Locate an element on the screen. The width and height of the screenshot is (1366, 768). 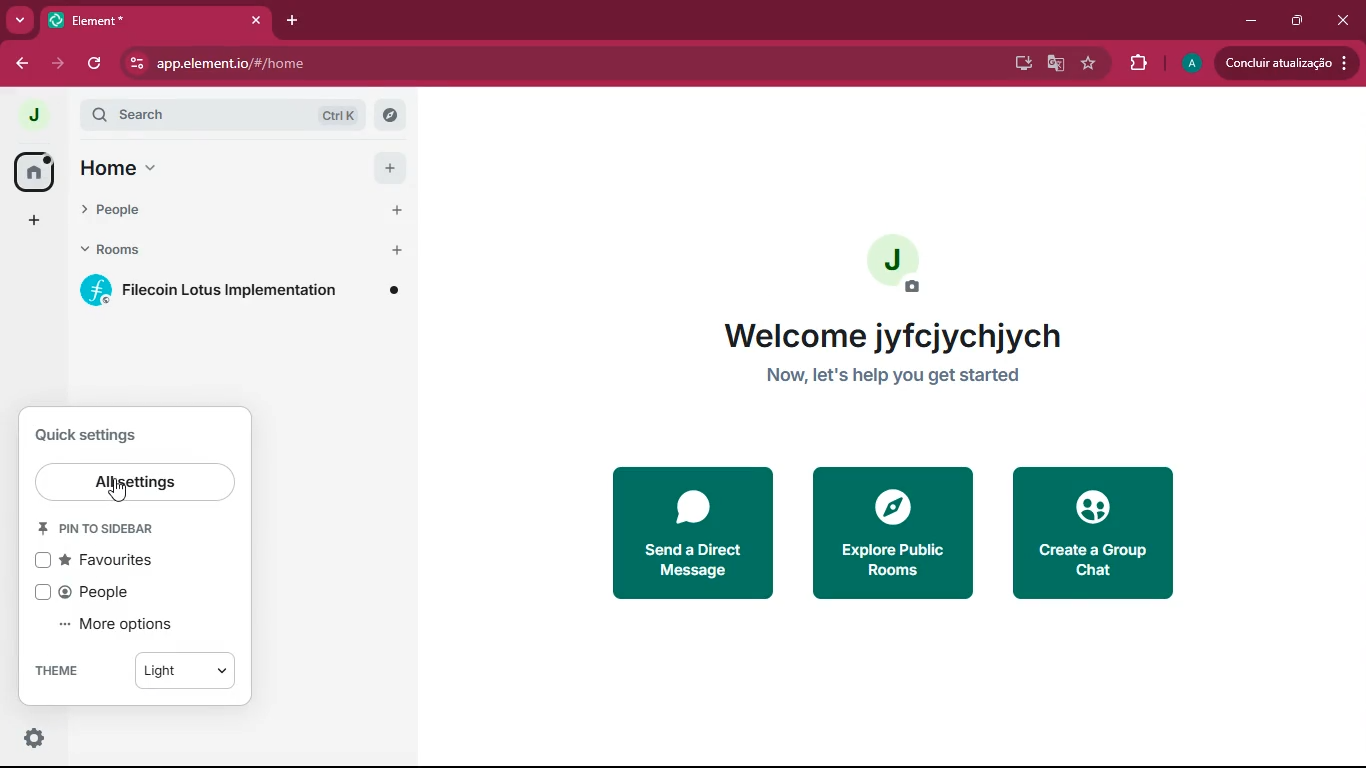
quick settings is located at coordinates (35, 737).